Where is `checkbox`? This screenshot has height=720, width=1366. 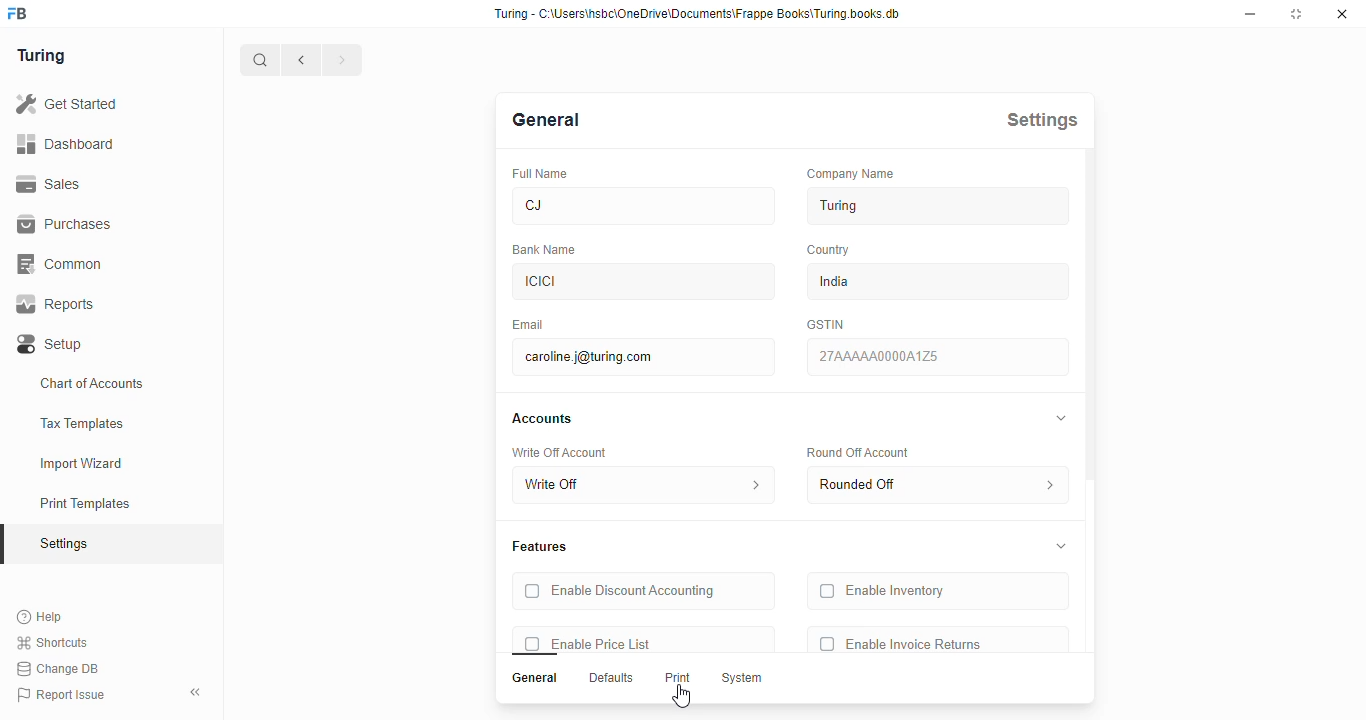 checkbox is located at coordinates (532, 591).